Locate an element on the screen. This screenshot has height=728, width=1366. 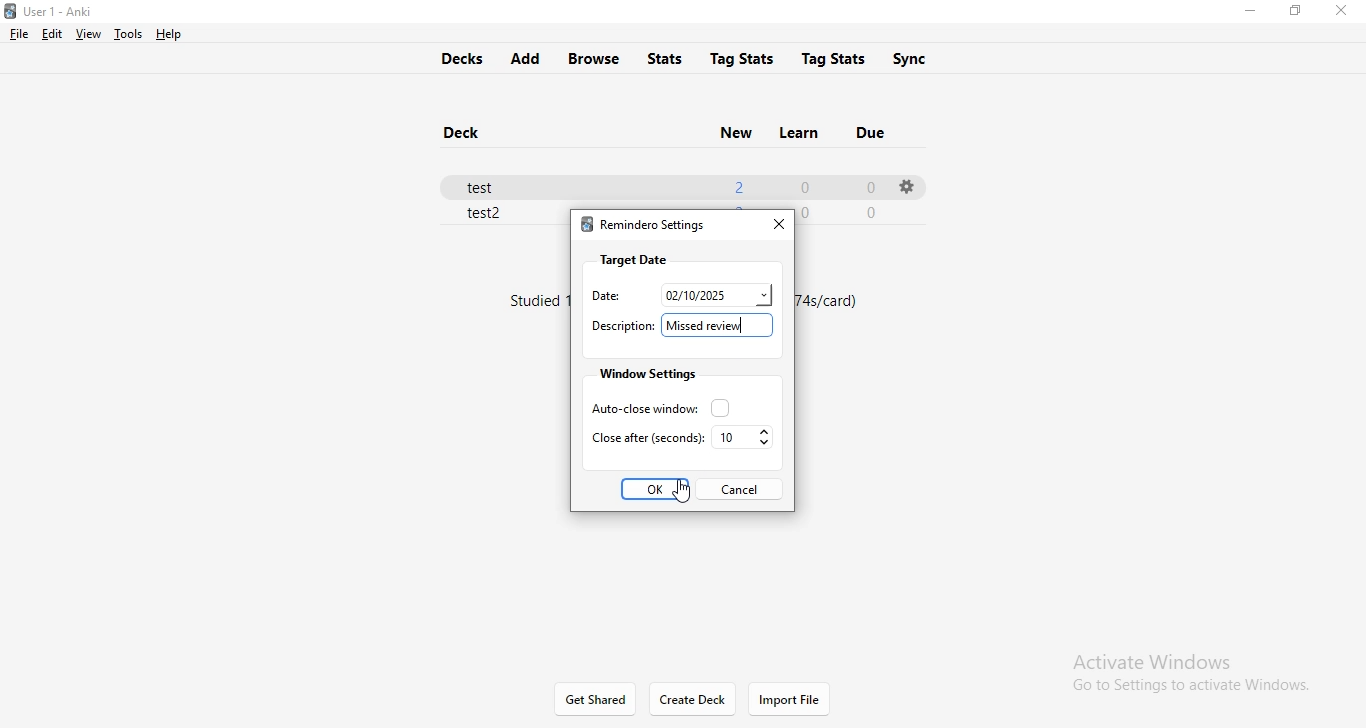
descriptiuon is located at coordinates (621, 326).